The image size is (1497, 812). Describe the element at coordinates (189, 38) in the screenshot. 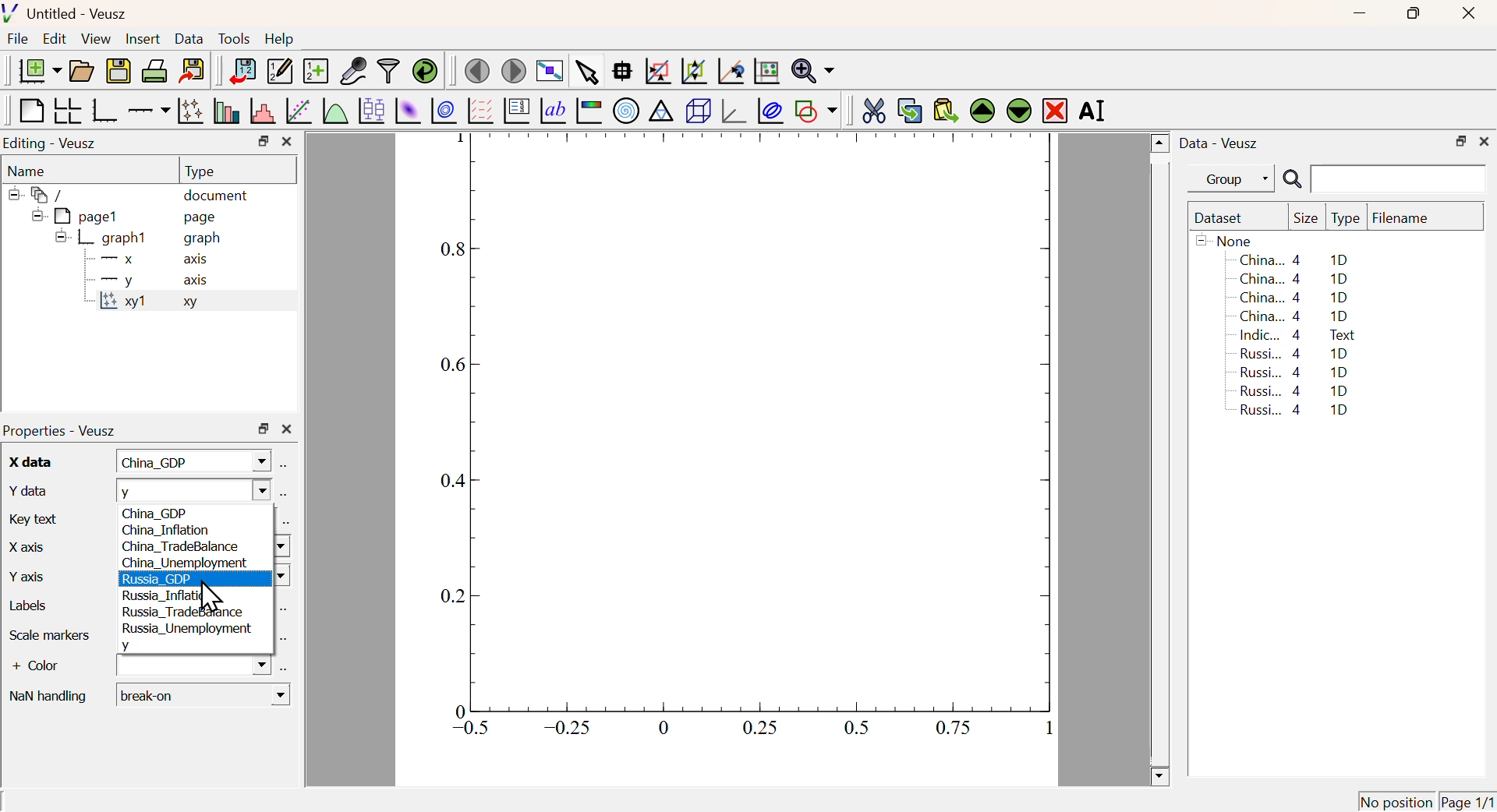

I see `Data` at that location.